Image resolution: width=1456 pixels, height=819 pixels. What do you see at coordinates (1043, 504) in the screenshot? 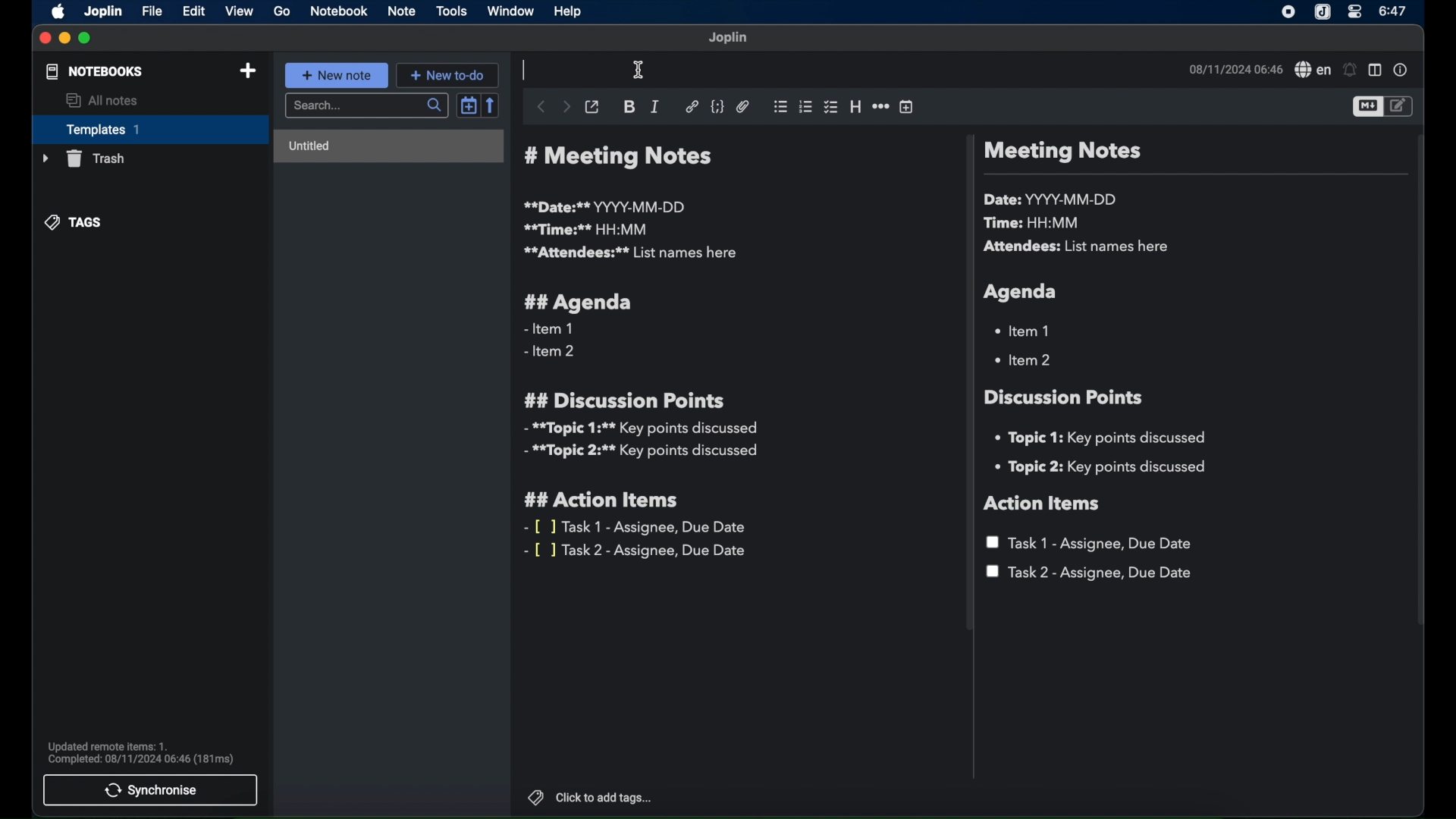
I see `action items` at bounding box center [1043, 504].